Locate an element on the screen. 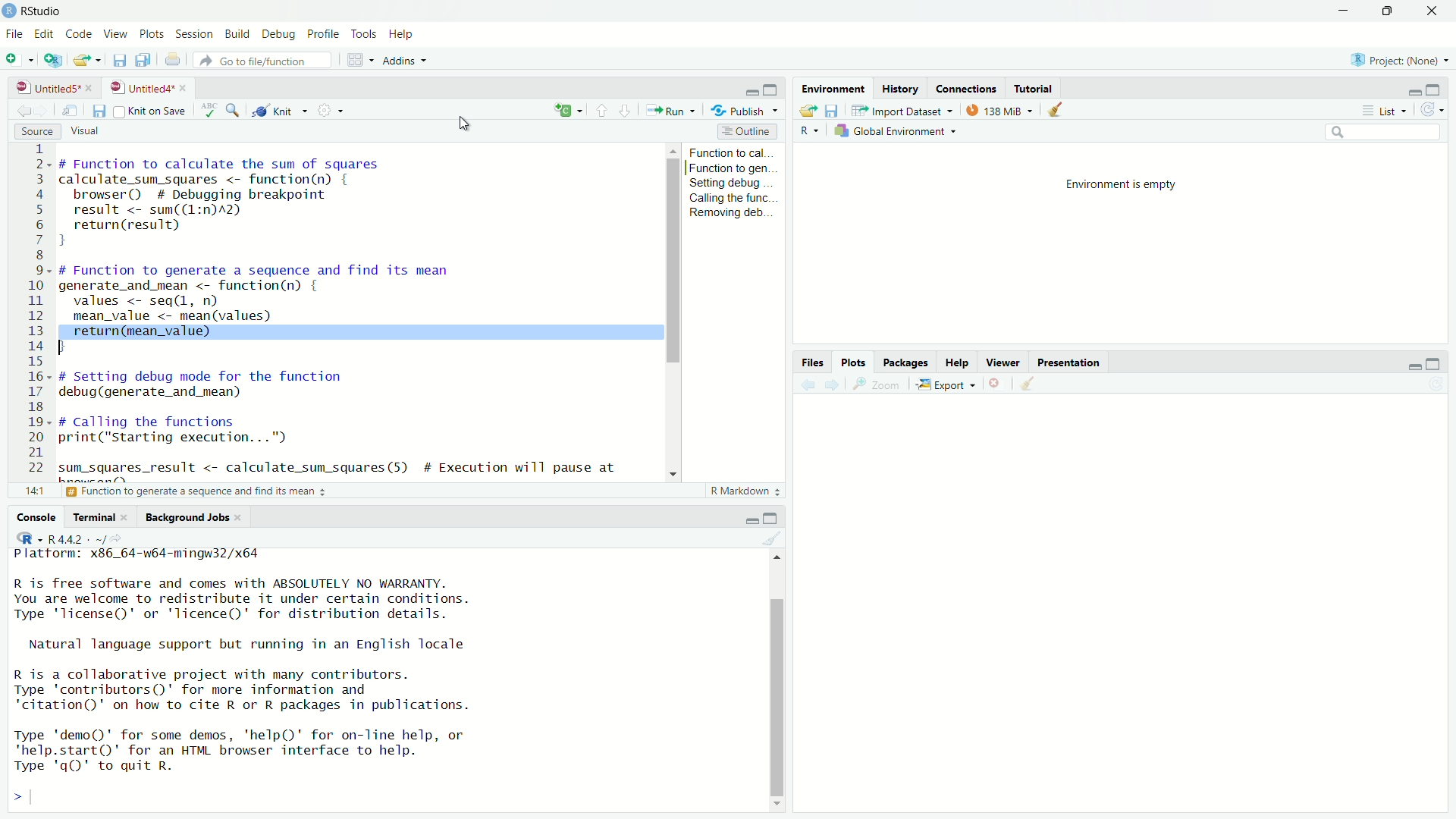 The width and height of the screenshot is (1456, 819). remove the current plot is located at coordinates (996, 385).